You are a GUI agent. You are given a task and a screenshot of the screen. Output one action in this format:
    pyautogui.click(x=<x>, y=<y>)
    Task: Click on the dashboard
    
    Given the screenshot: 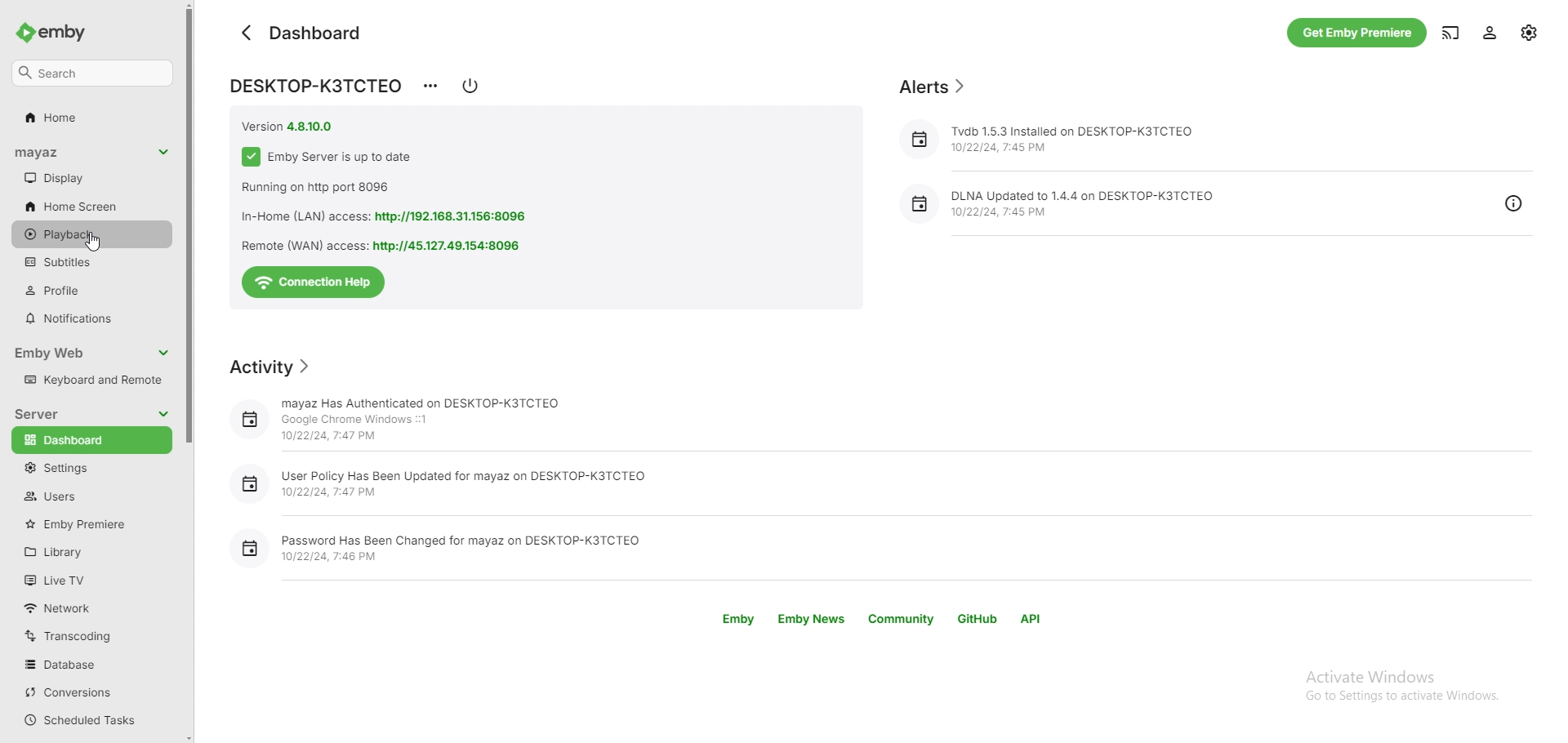 What is the action you would take?
    pyautogui.click(x=91, y=441)
    